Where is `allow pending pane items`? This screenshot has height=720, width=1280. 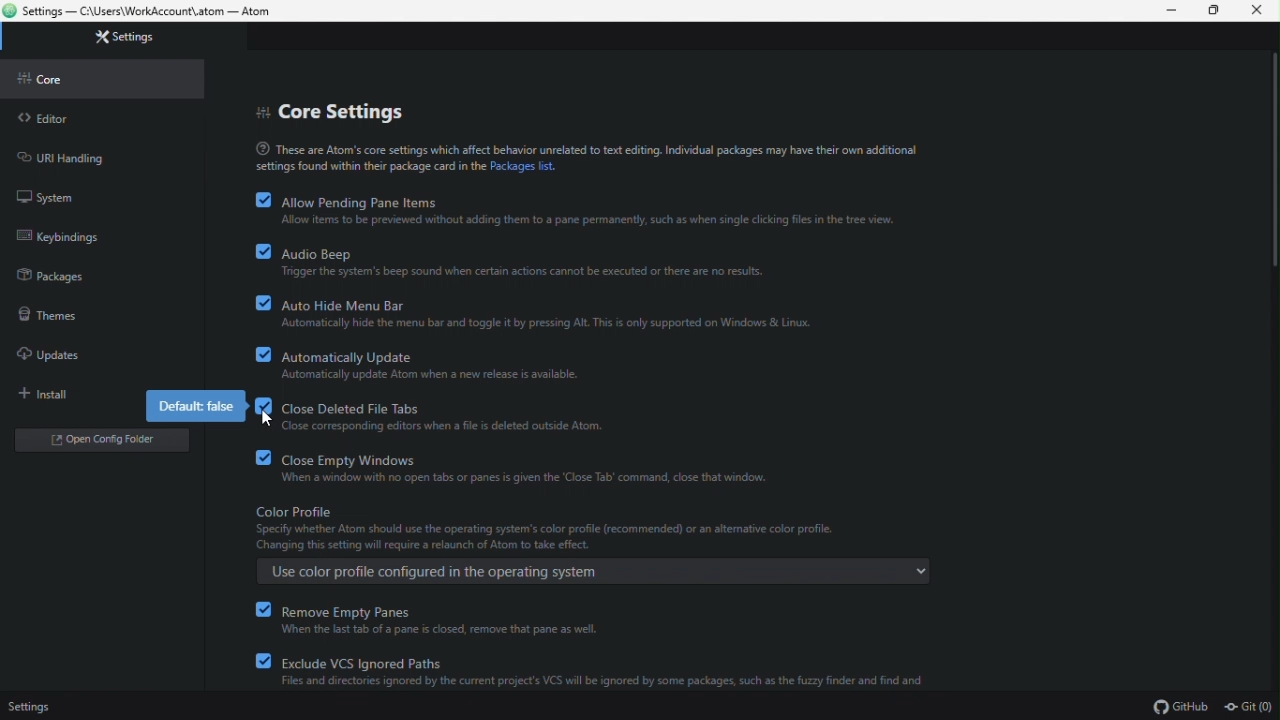
allow pending pane items is located at coordinates (586, 213).